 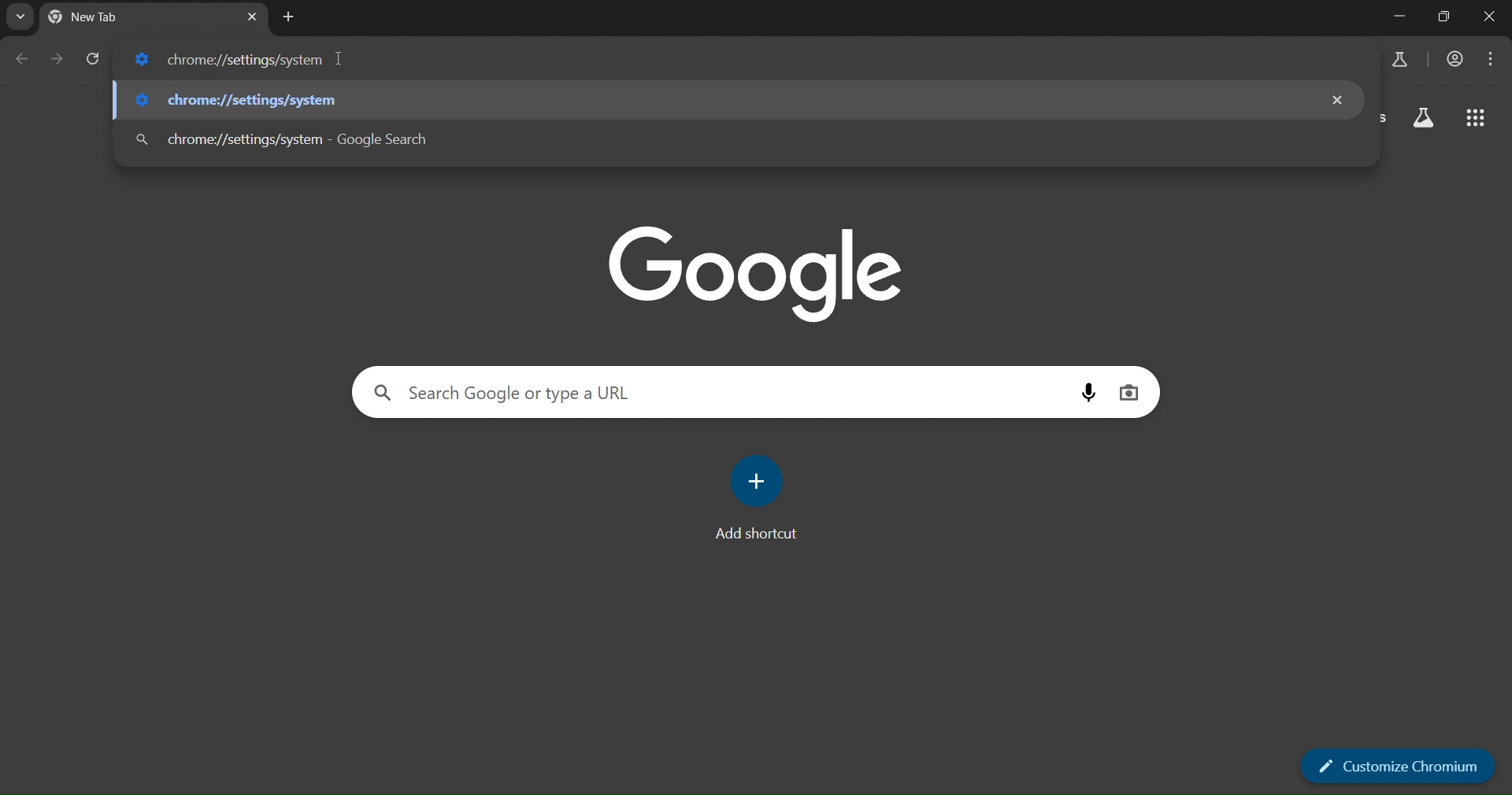 What do you see at coordinates (755, 270) in the screenshot?
I see `google ` at bounding box center [755, 270].